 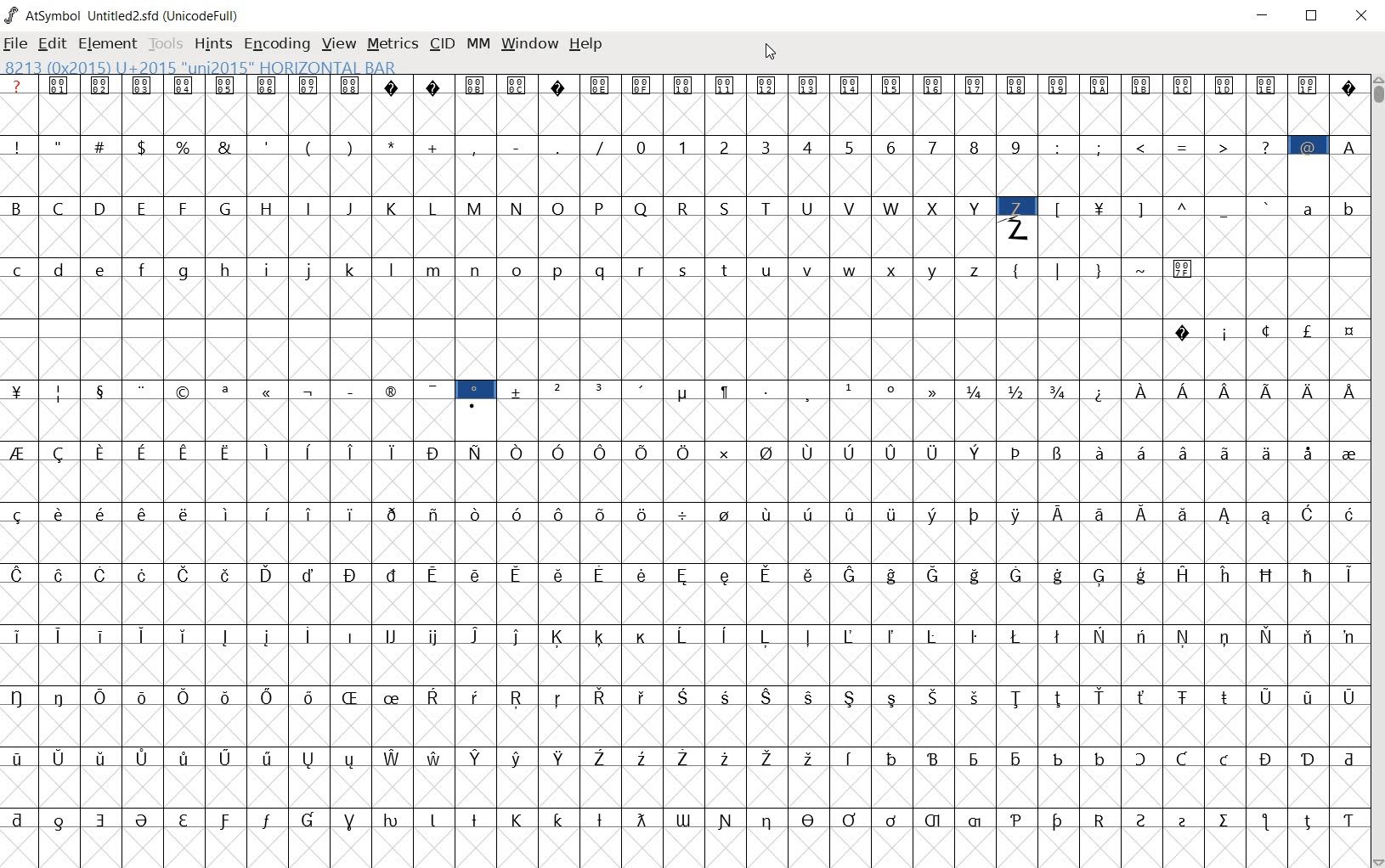 I want to click on SCROLLBAR, so click(x=1378, y=471).